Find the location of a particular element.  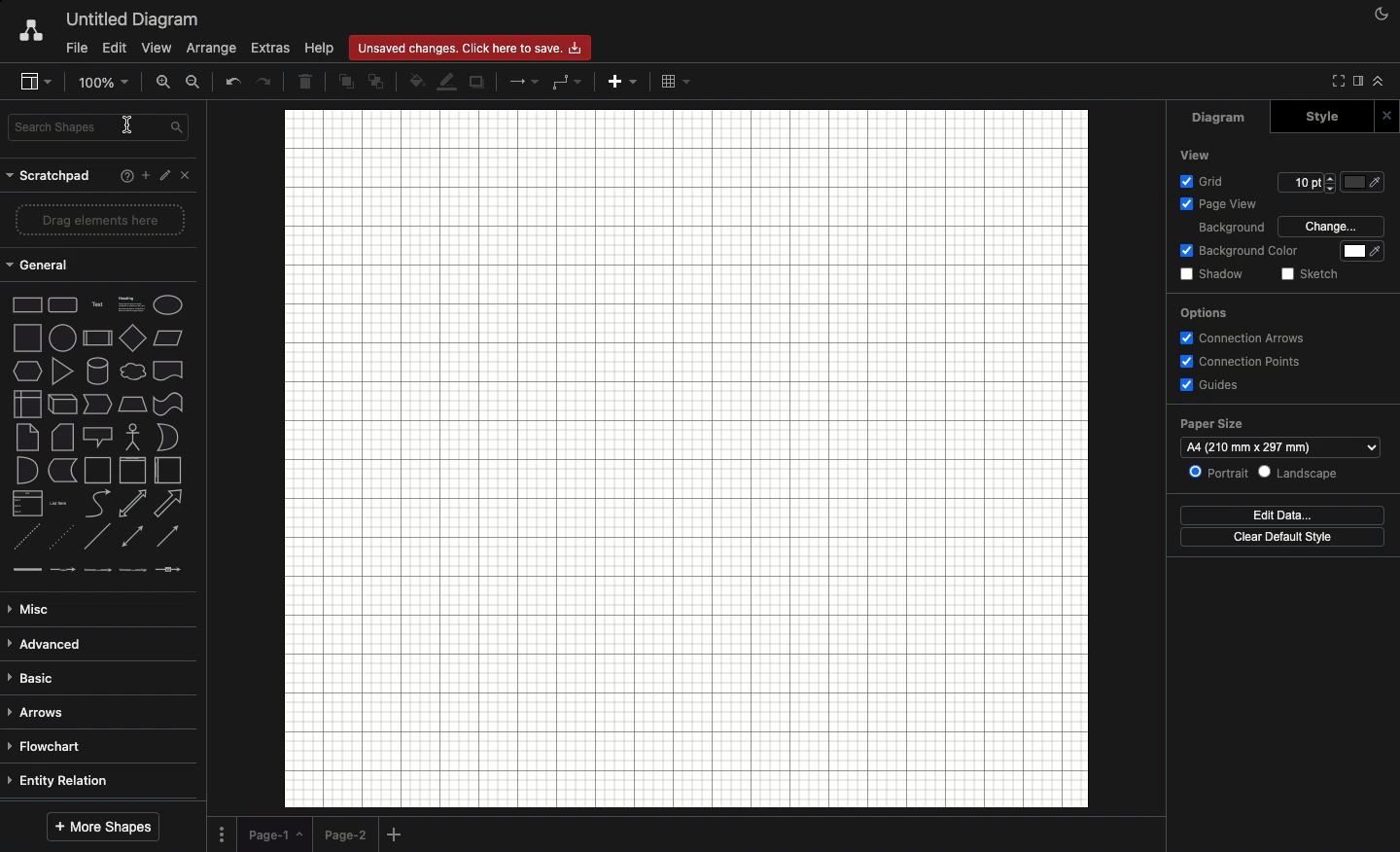

Add is located at coordinates (620, 85).